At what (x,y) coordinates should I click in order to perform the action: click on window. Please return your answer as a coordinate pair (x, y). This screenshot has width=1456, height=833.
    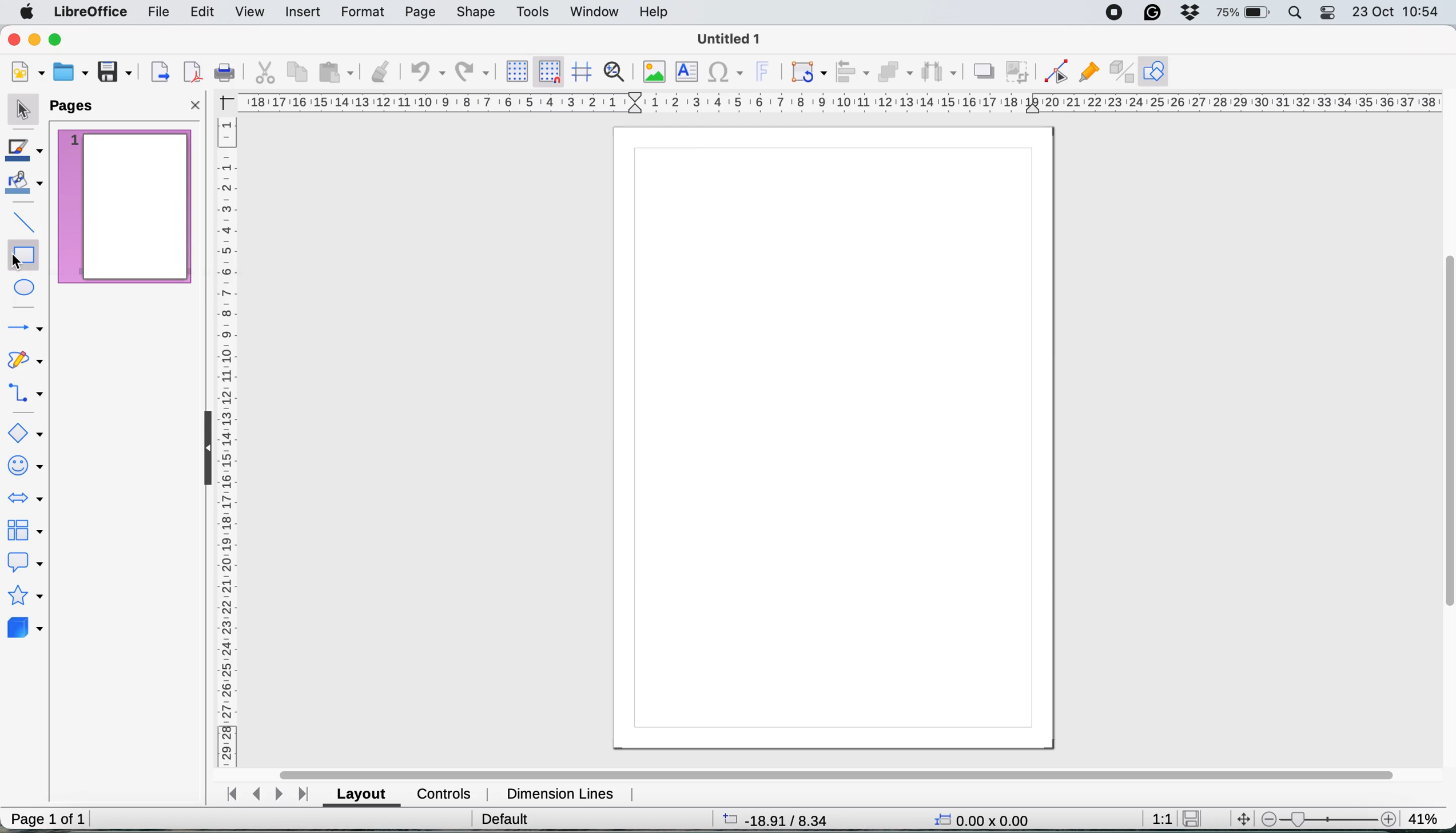
    Looking at the image, I should click on (594, 10).